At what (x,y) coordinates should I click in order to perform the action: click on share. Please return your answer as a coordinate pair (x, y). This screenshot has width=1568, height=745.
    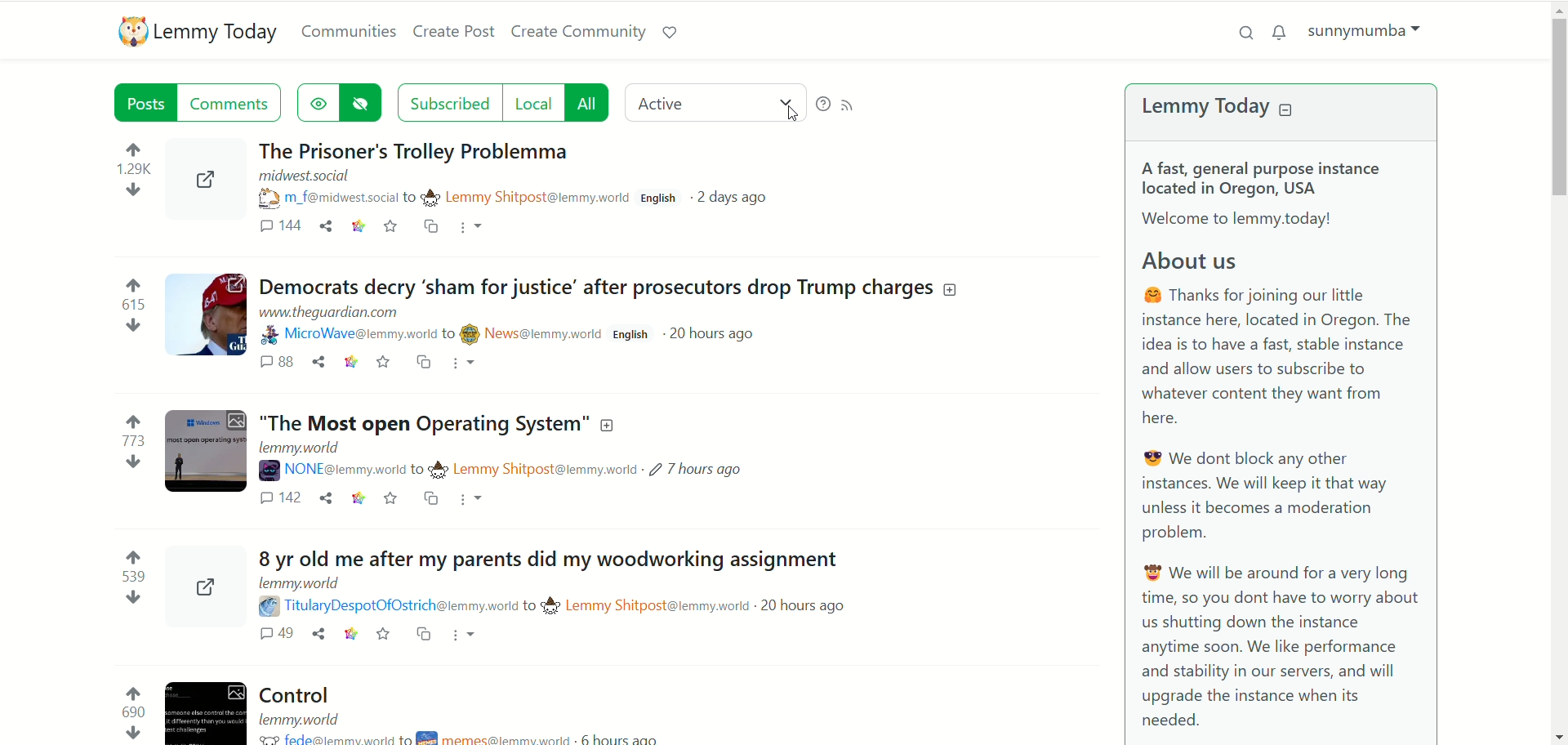
    Looking at the image, I should click on (315, 366).